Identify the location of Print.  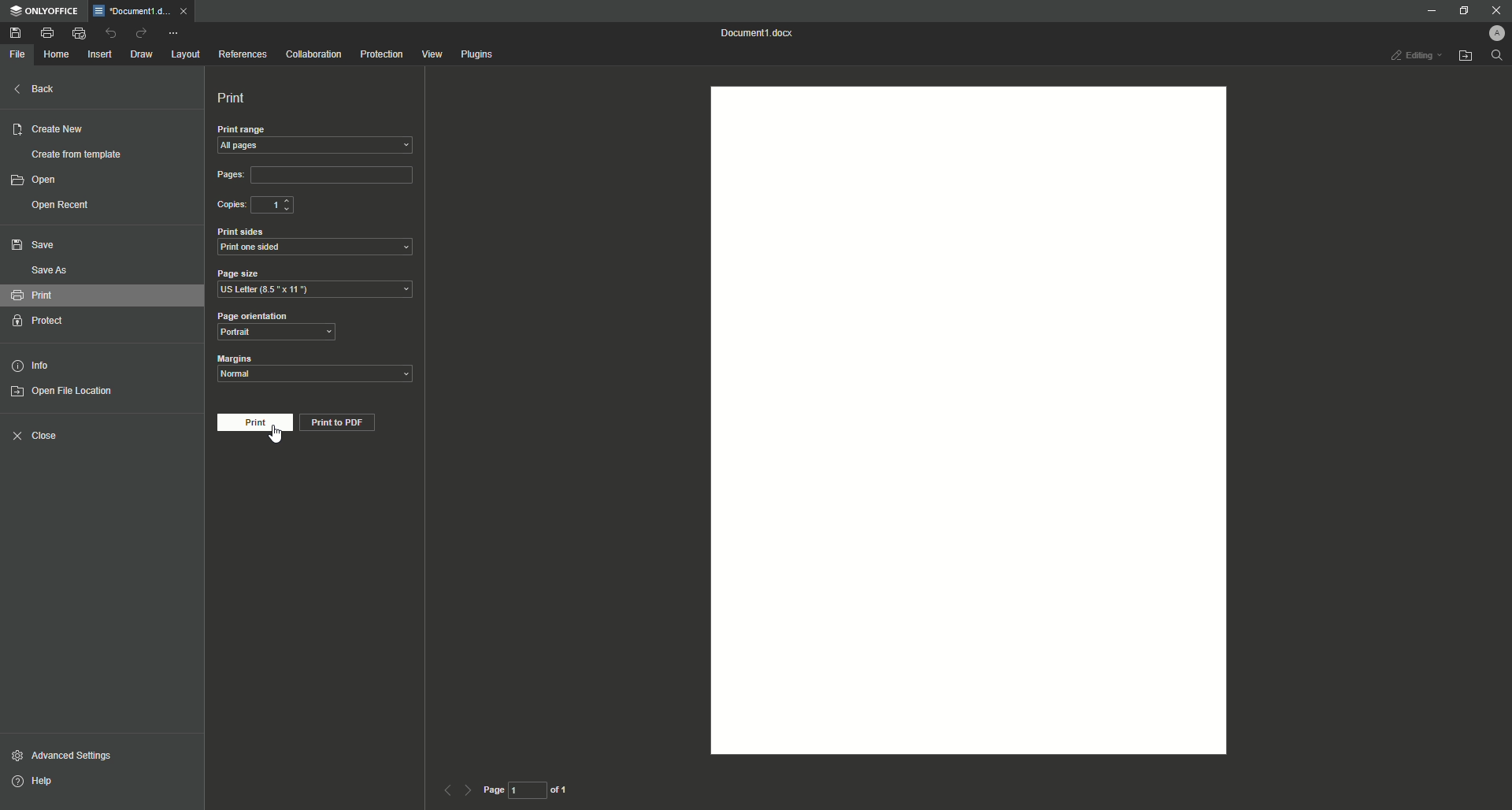
(53, 295).